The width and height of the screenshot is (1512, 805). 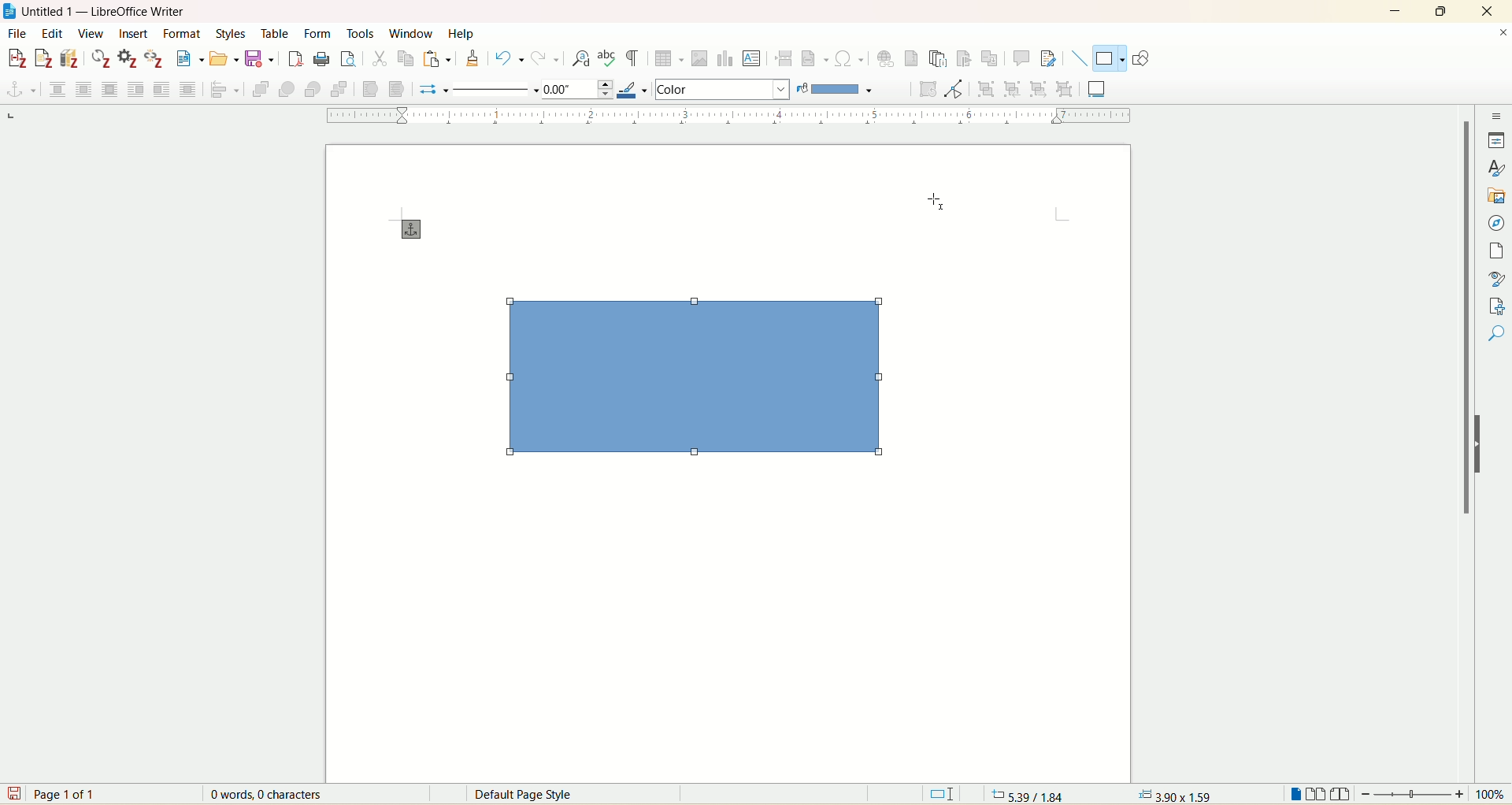 What do you see at coordinates (1497, 333) in the screenshot?
I see `accessibility check` at bounding box center [1497, 333].